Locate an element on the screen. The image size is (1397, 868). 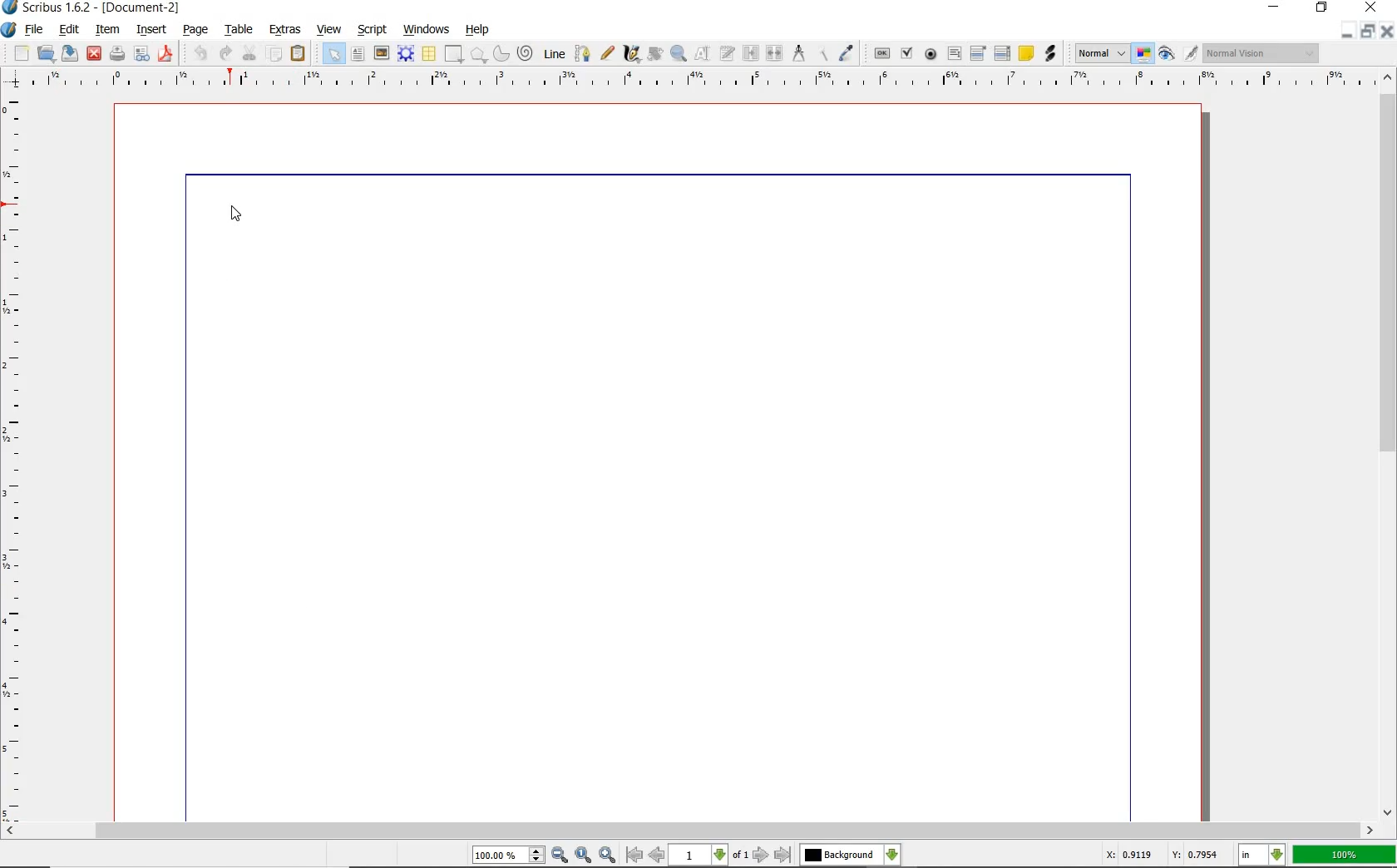
cursor is located at coordinates (236, 214).